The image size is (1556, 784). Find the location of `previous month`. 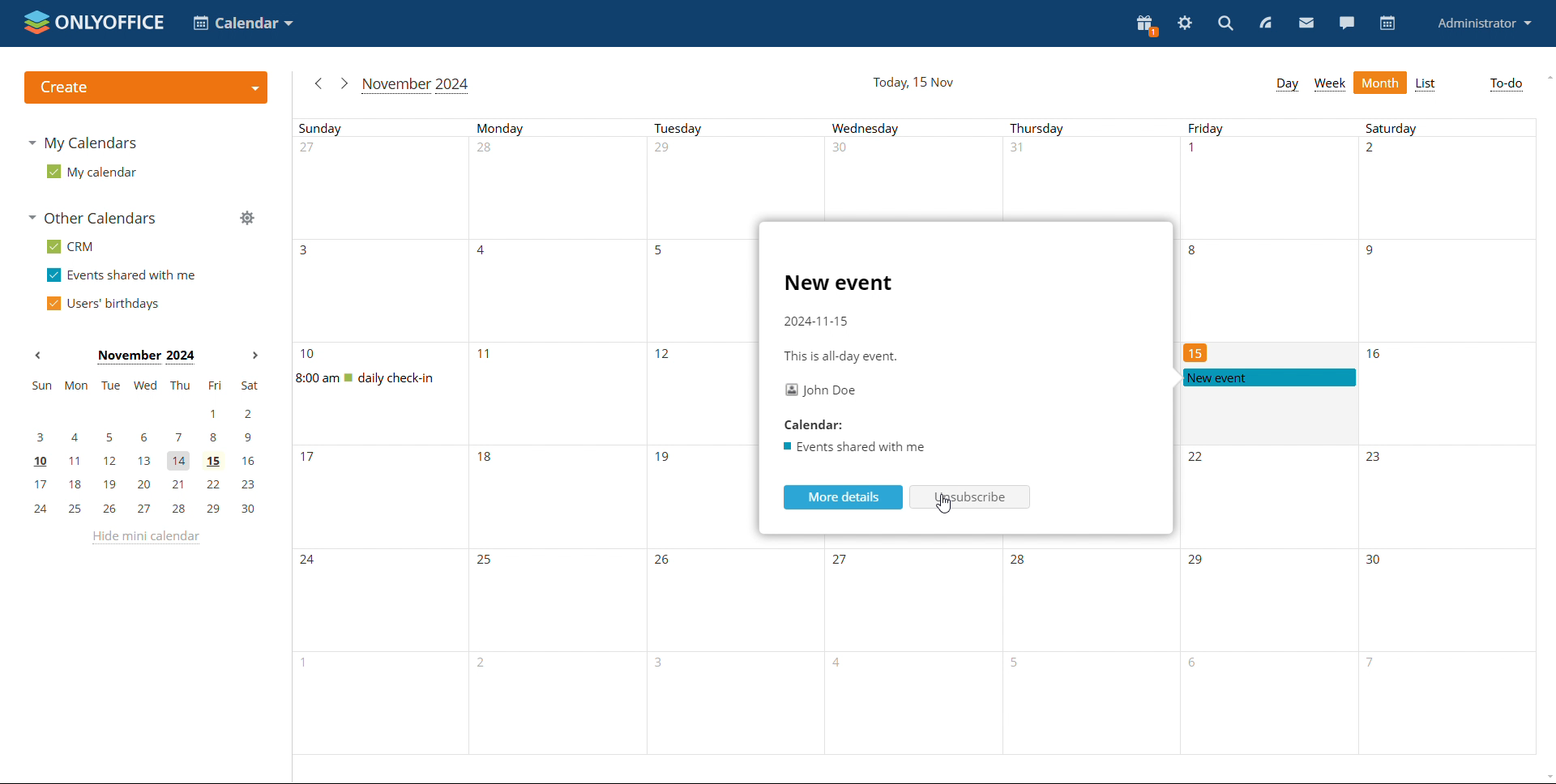

previous month is located at coordinates (36, 356).